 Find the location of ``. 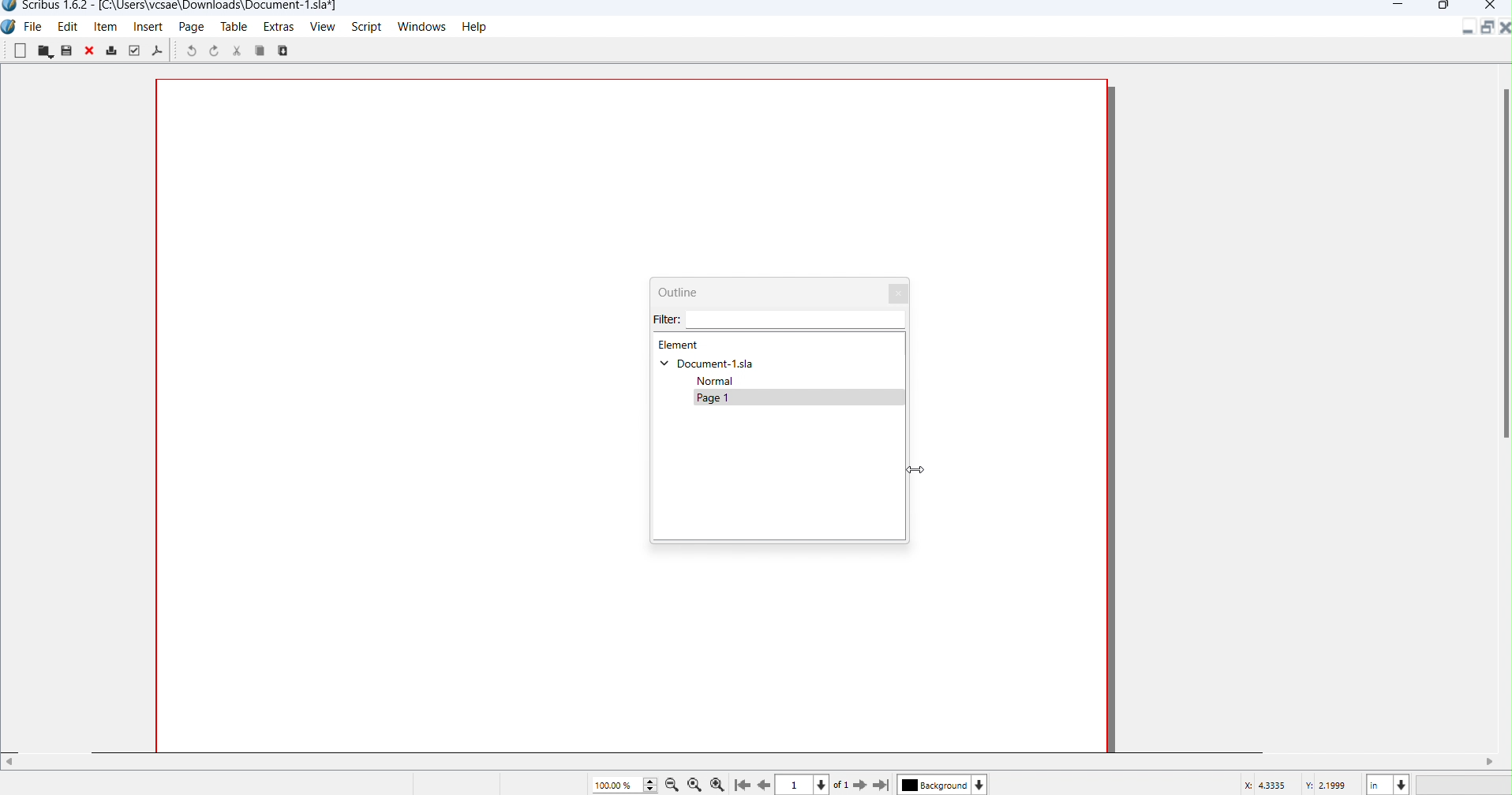

 is located at coordinates (323, 28).